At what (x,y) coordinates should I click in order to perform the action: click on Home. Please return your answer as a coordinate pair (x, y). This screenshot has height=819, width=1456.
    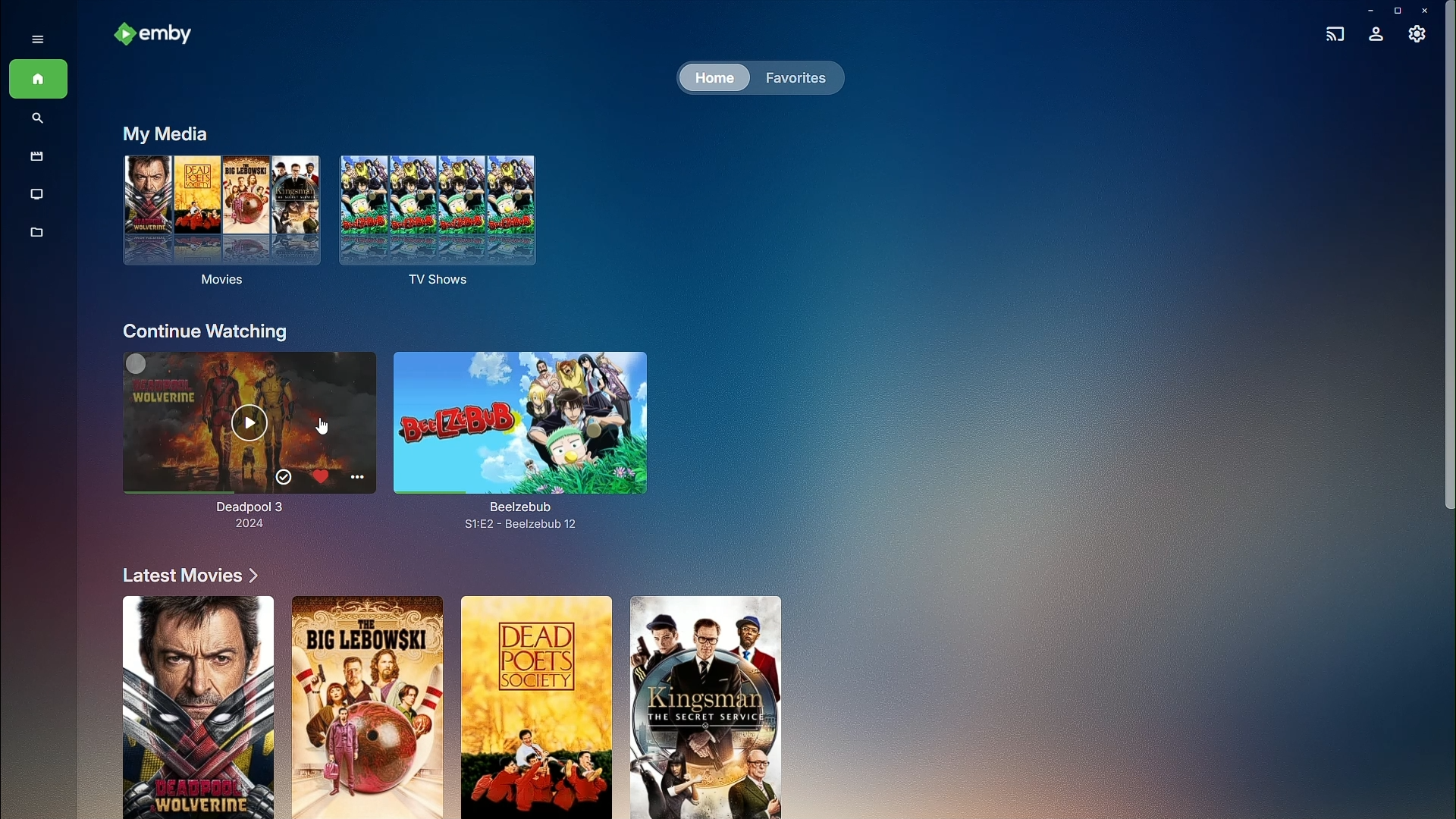
    Looking at the image, I should click on (710, 79).